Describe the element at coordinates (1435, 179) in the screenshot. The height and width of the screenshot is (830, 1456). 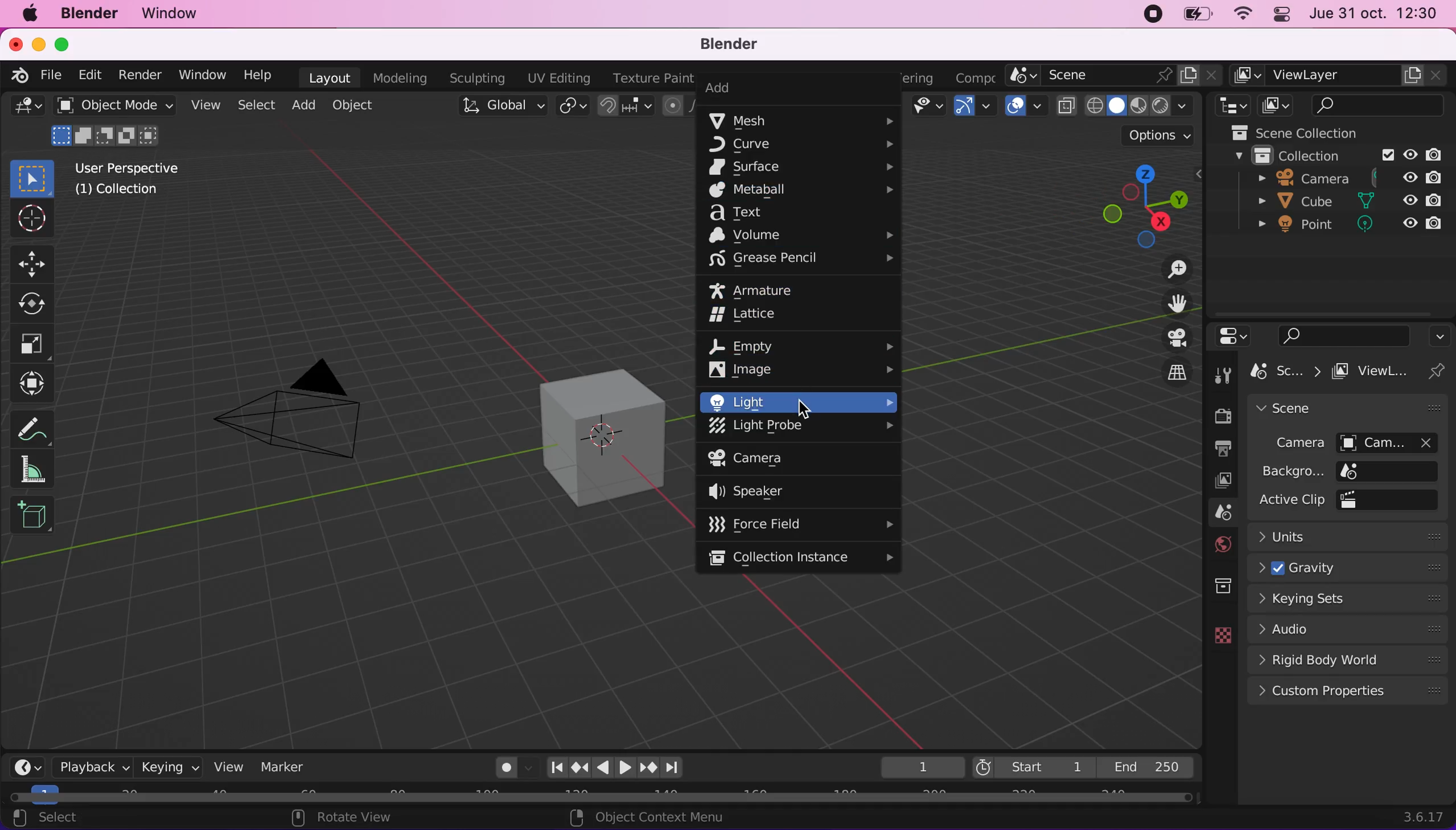
I see `disable in renders` at that location.